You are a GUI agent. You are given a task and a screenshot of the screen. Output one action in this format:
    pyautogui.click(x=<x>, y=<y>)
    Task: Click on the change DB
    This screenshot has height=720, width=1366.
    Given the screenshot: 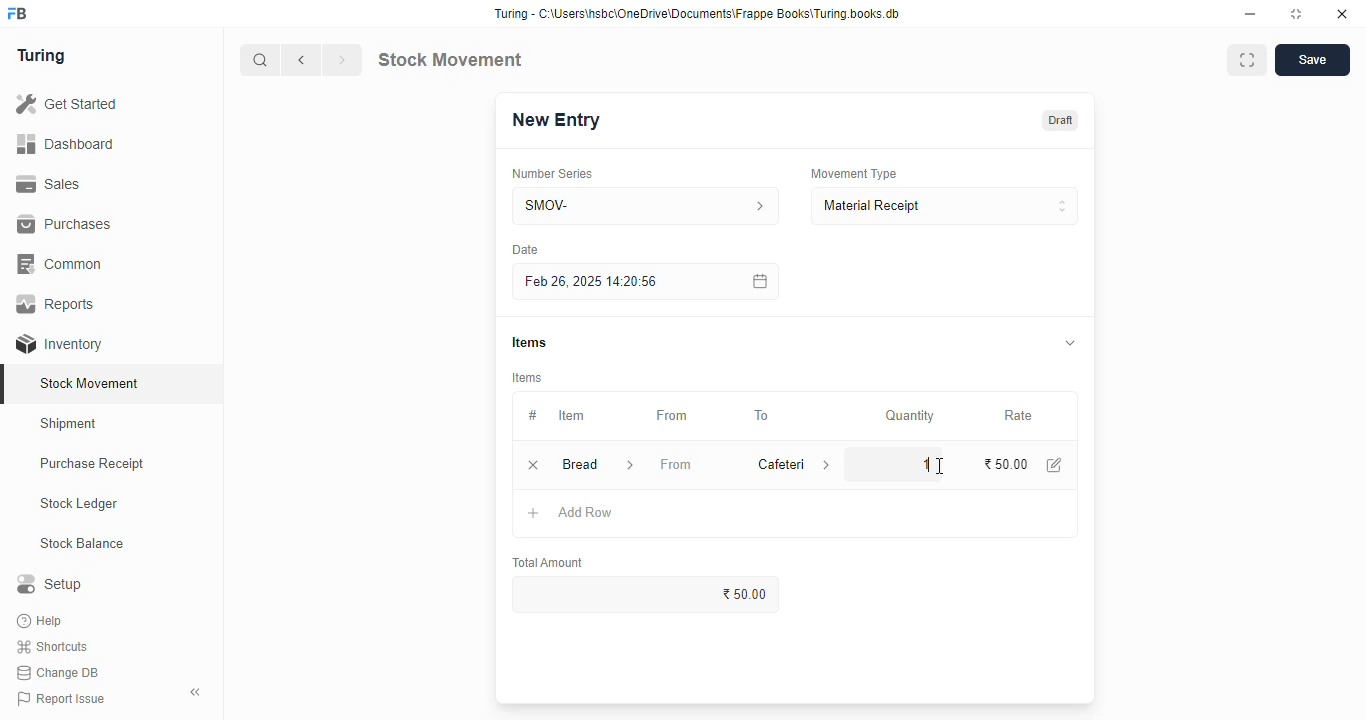 What is the action you would take?
    pyautogui.click(x=58, y=673)
    